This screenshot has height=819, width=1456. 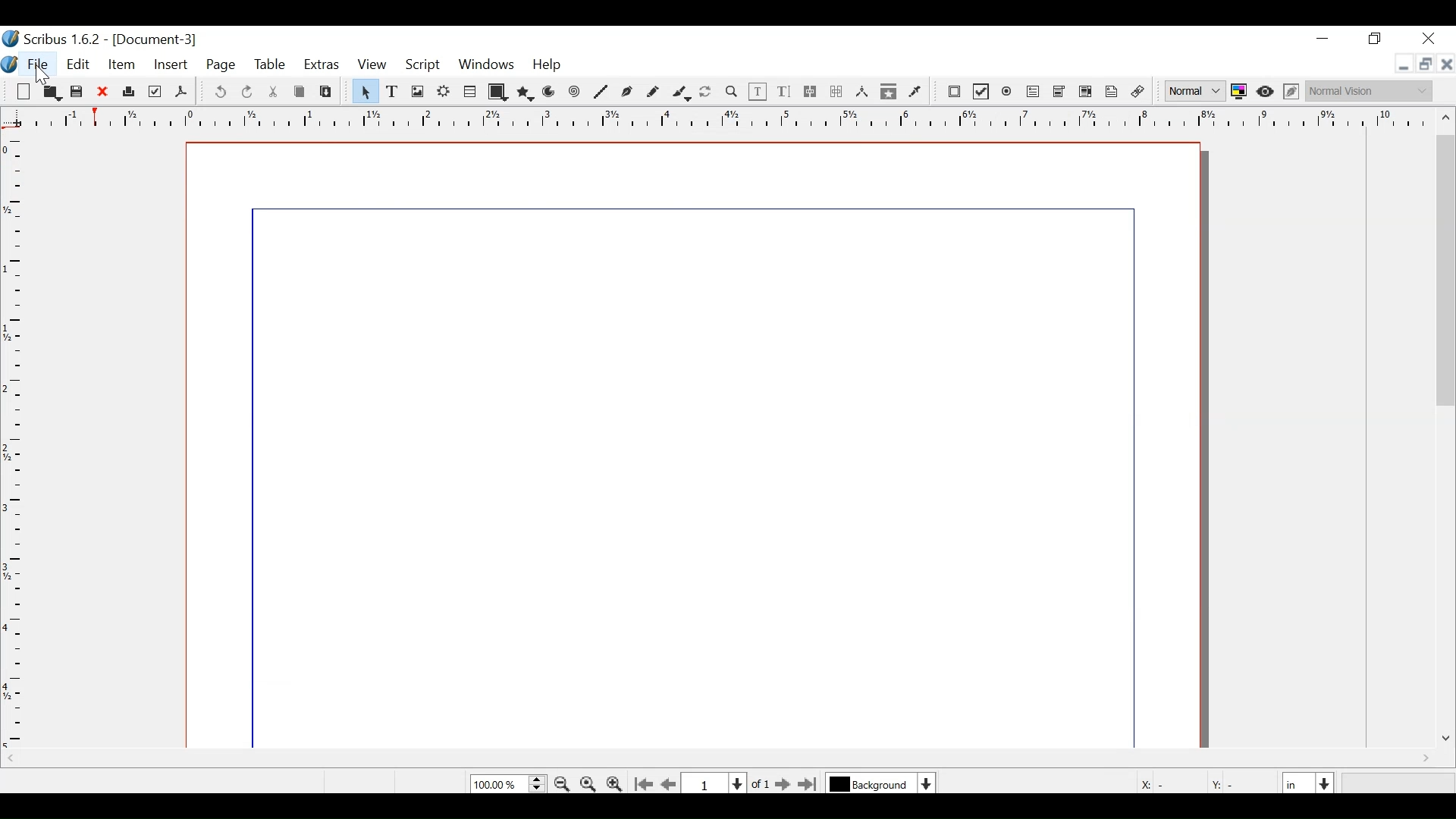 I want to click on Spiral, so click(x=575, y=93).